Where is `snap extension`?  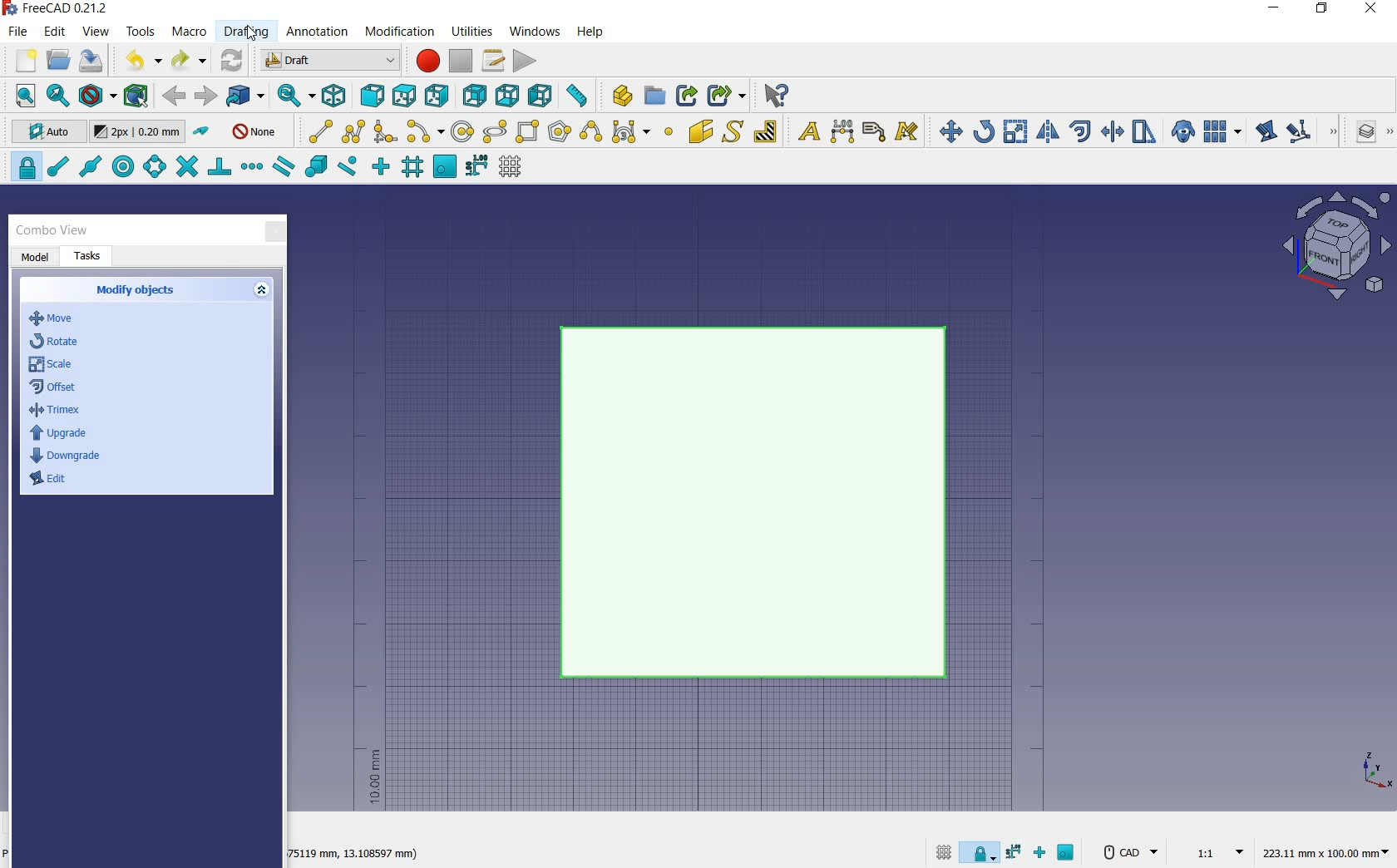 snap extension is located at coordinates (251, 167).